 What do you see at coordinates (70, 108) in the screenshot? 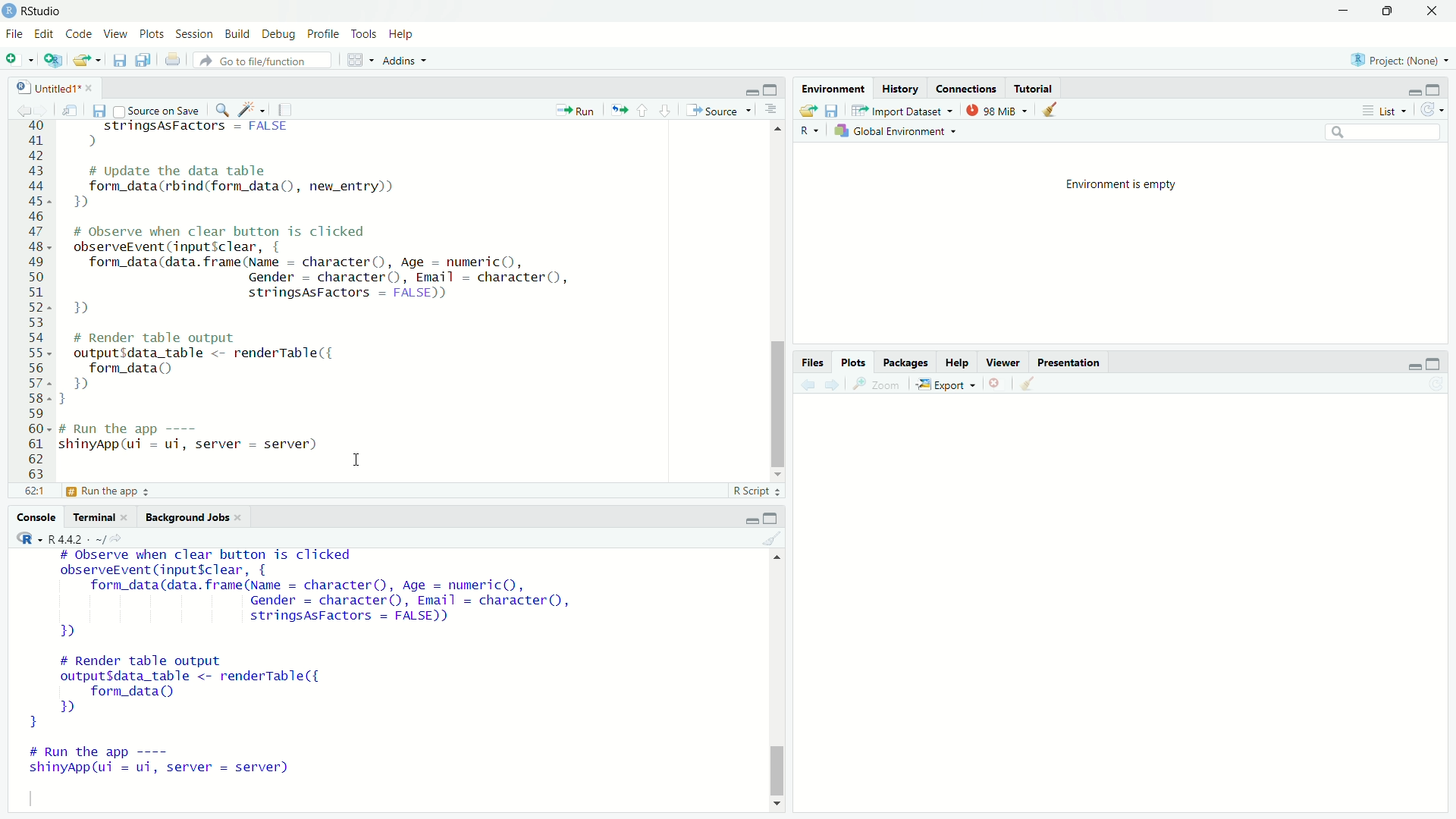
I see `show in new window` at bounding box center [70, 108].